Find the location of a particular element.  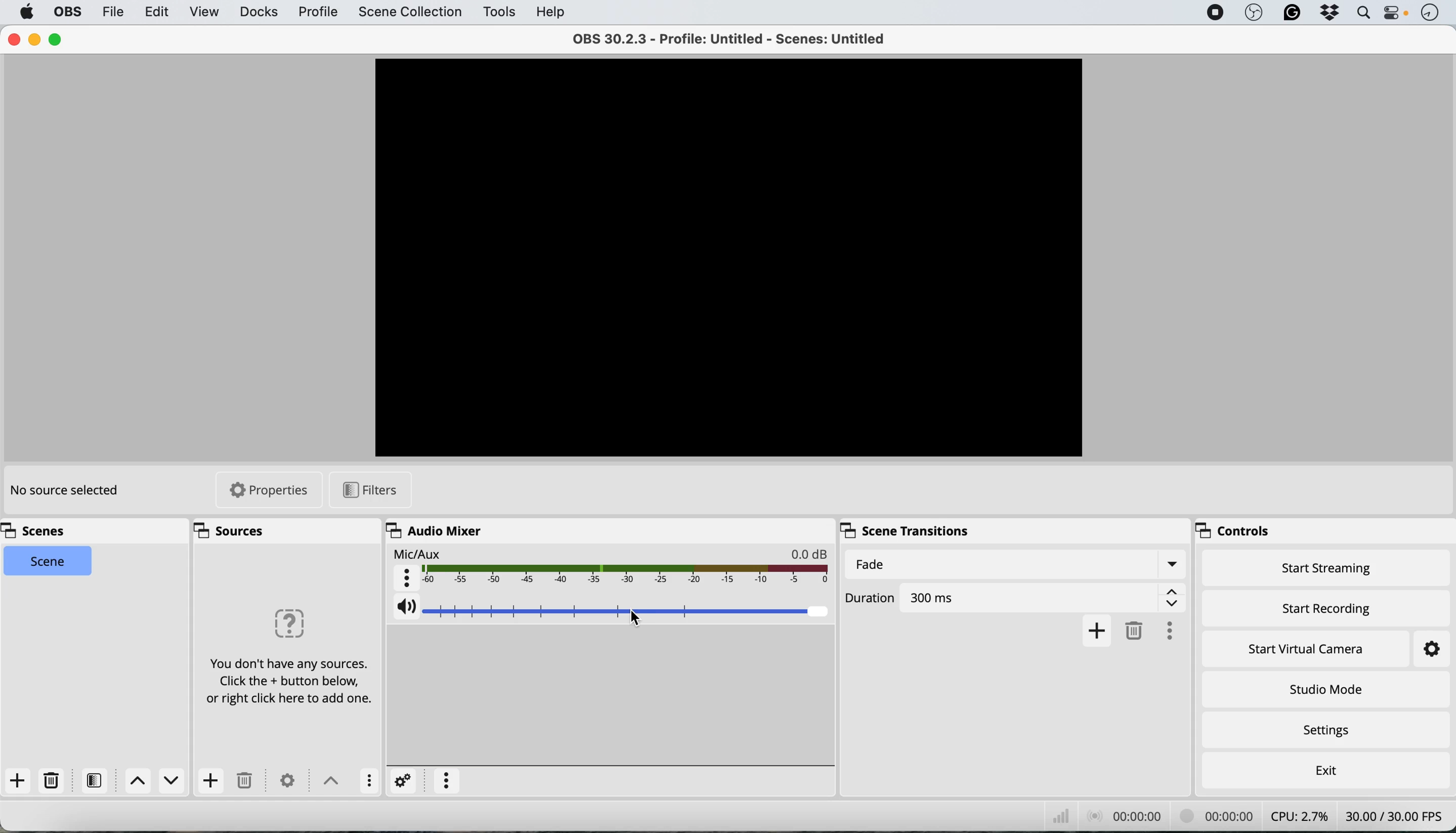

switch between scenes is located at coordinates (158, 783).